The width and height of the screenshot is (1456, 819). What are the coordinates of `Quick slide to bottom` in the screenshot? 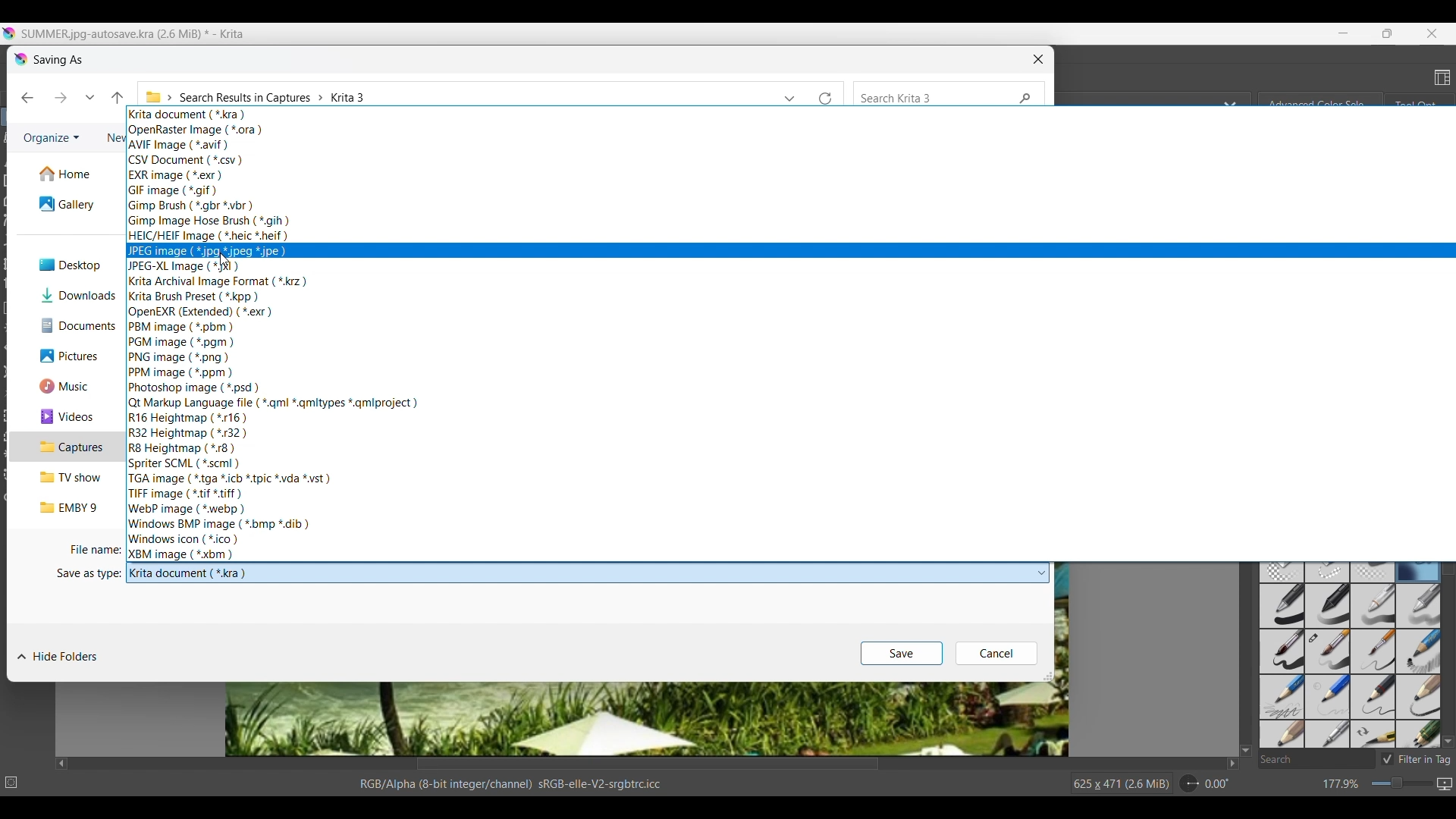 It's located at (1246, 751).